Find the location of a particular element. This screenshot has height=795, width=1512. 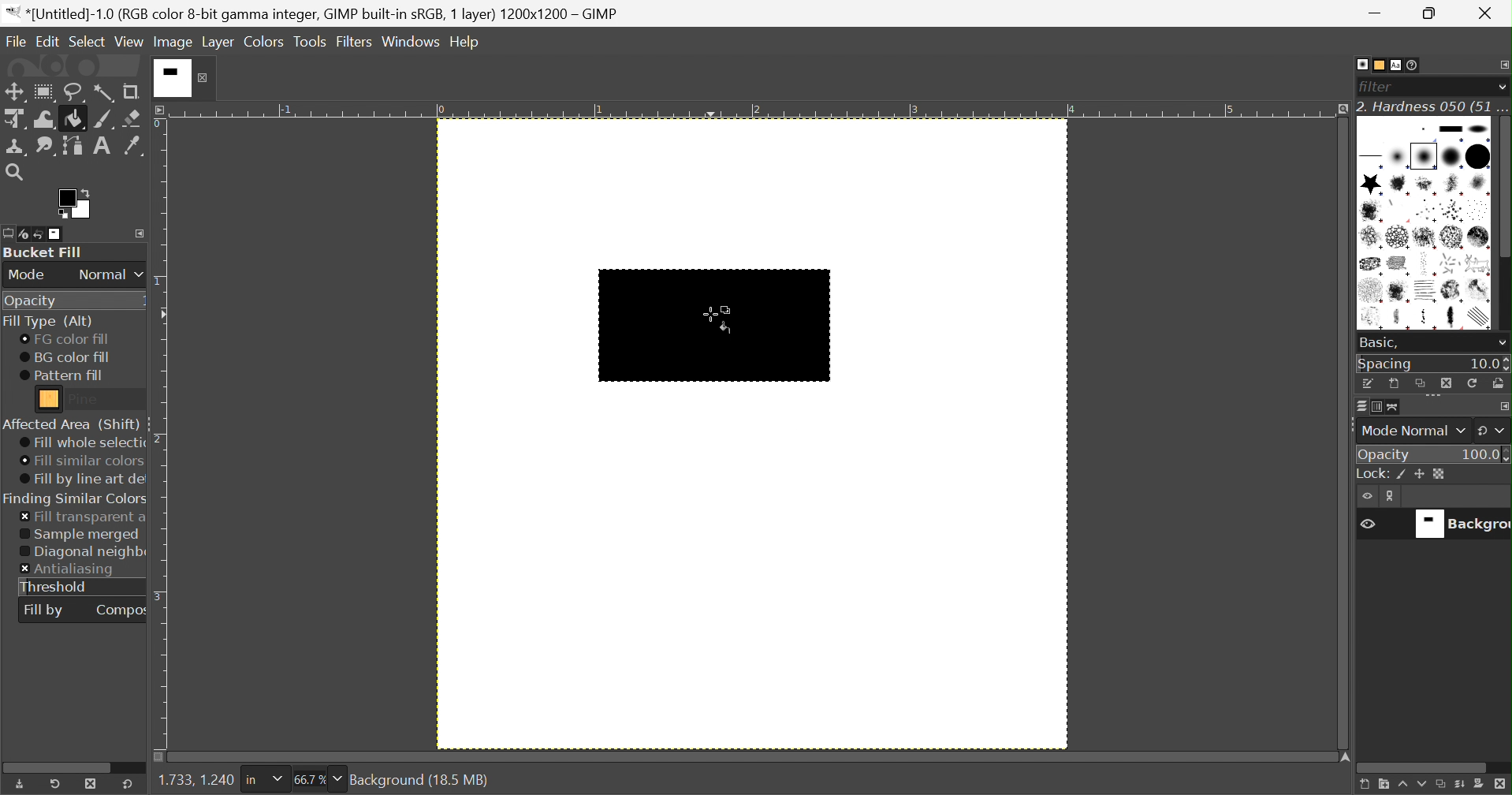

Minimize is located at coordinates (1377, 13).